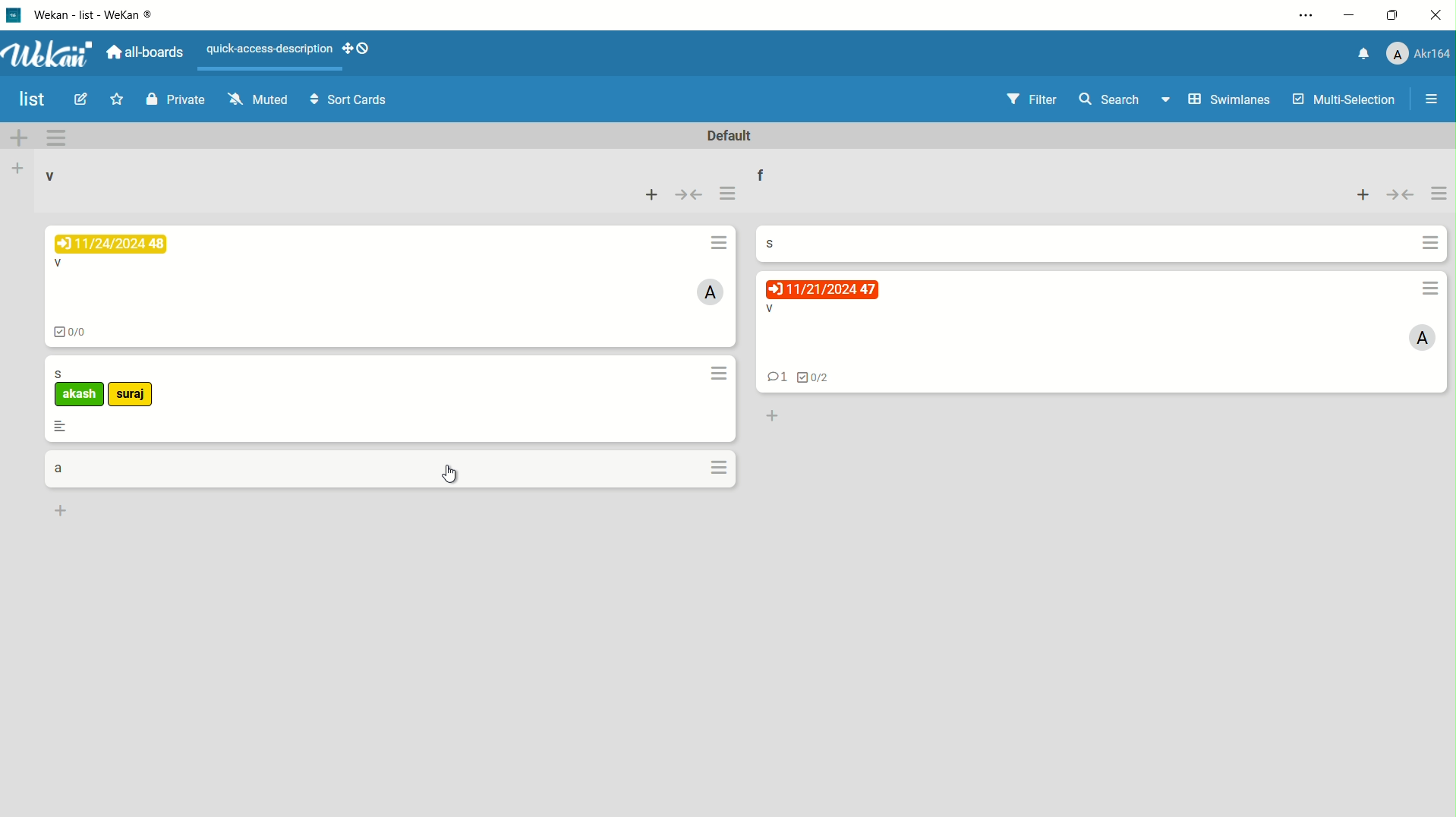 The width and height of the screenshot is (1456, 817). What do you see at coordinates (360, 49) in the screenshot?
I see `show-desktop-drag-handles` at bounding box center [360, 49].